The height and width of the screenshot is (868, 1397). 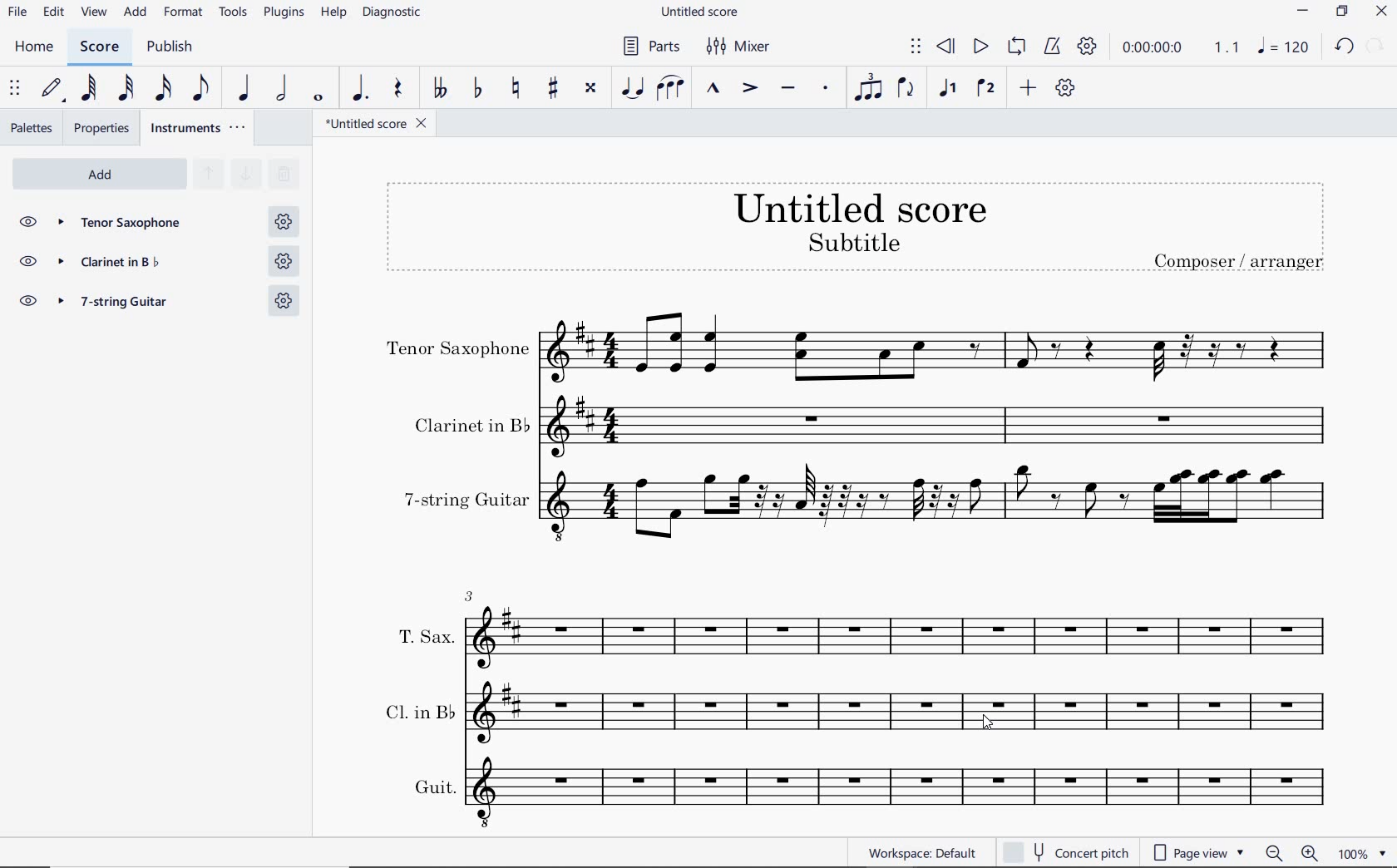 I want to click on REST, so click(x=397, y=90).